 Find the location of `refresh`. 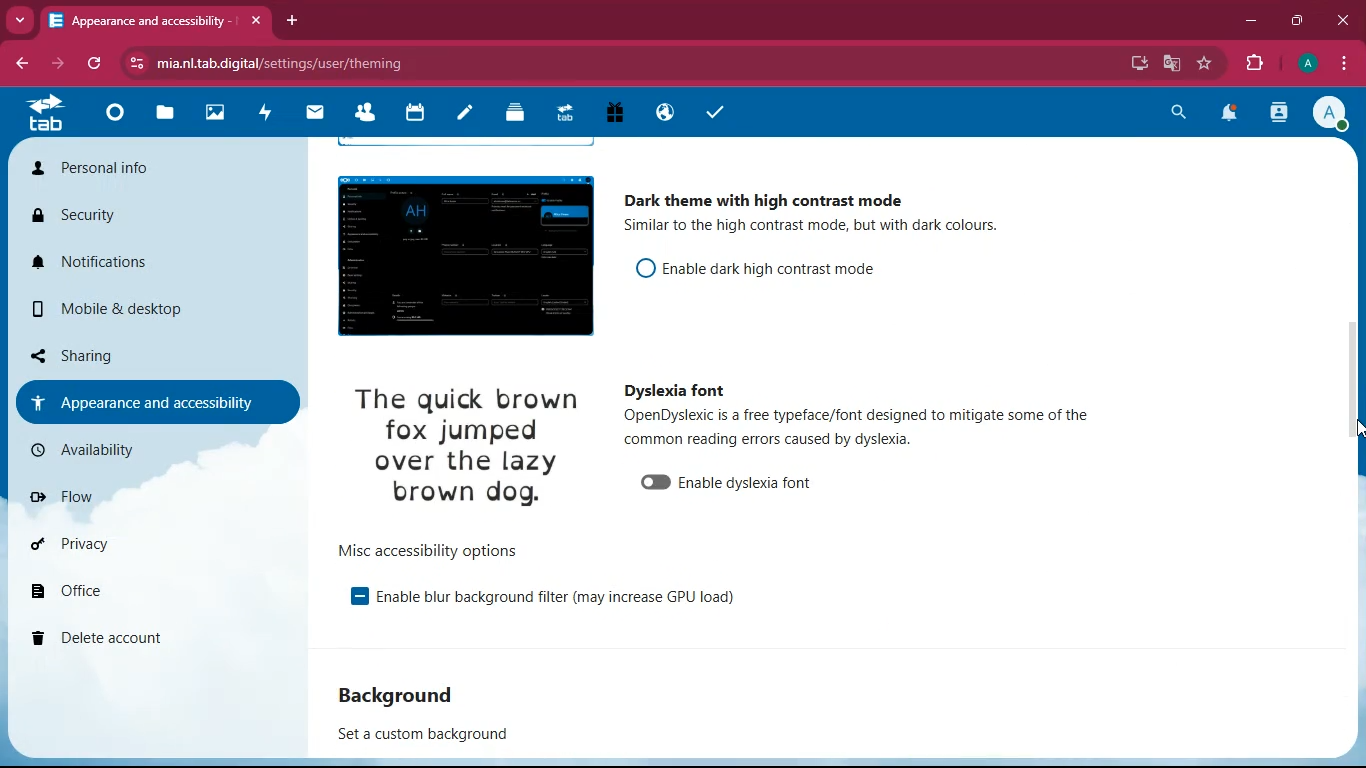

refresh is located at coordinates (98, 63).